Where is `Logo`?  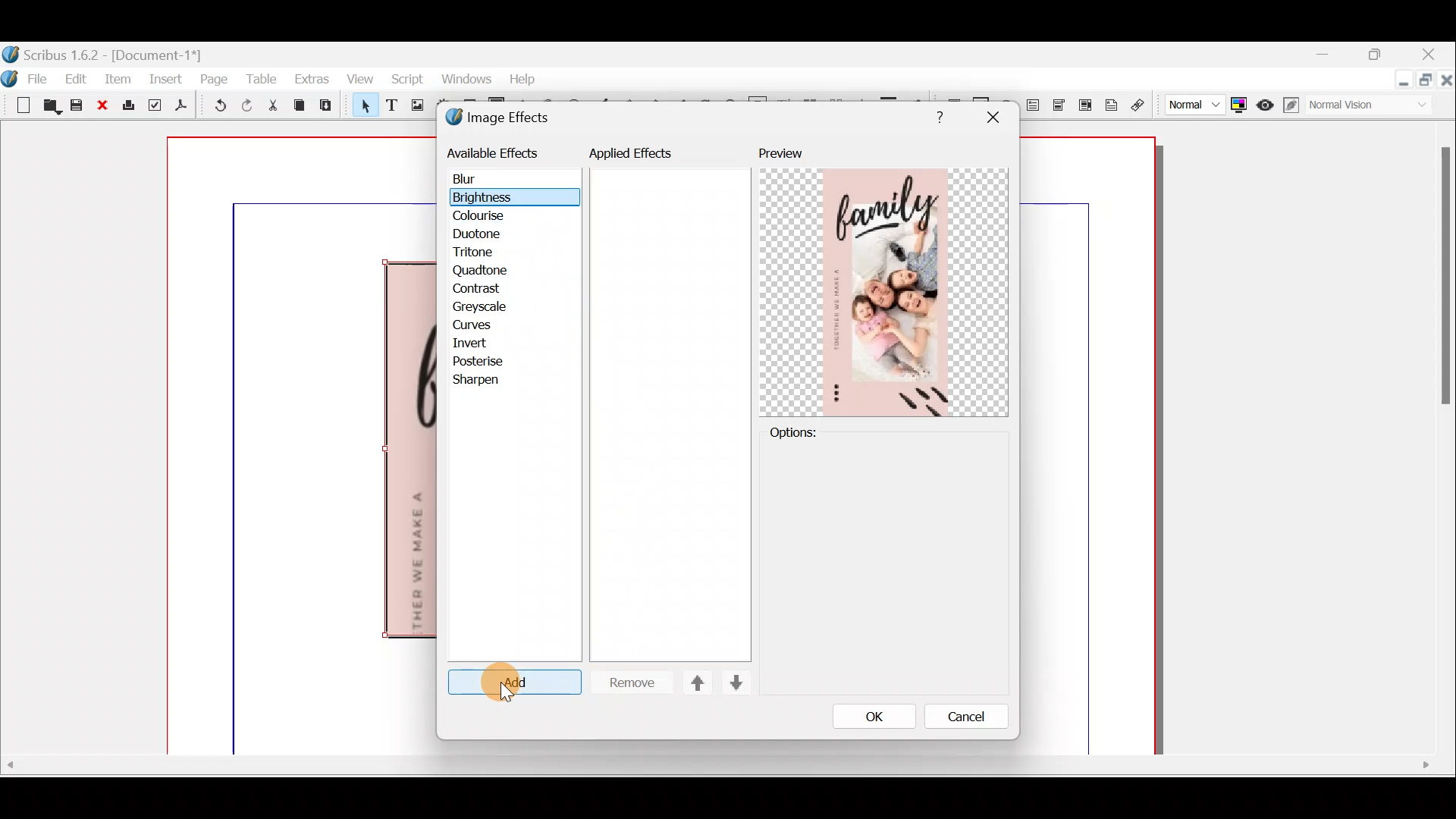
Logo is located at coordinates (11, 76).